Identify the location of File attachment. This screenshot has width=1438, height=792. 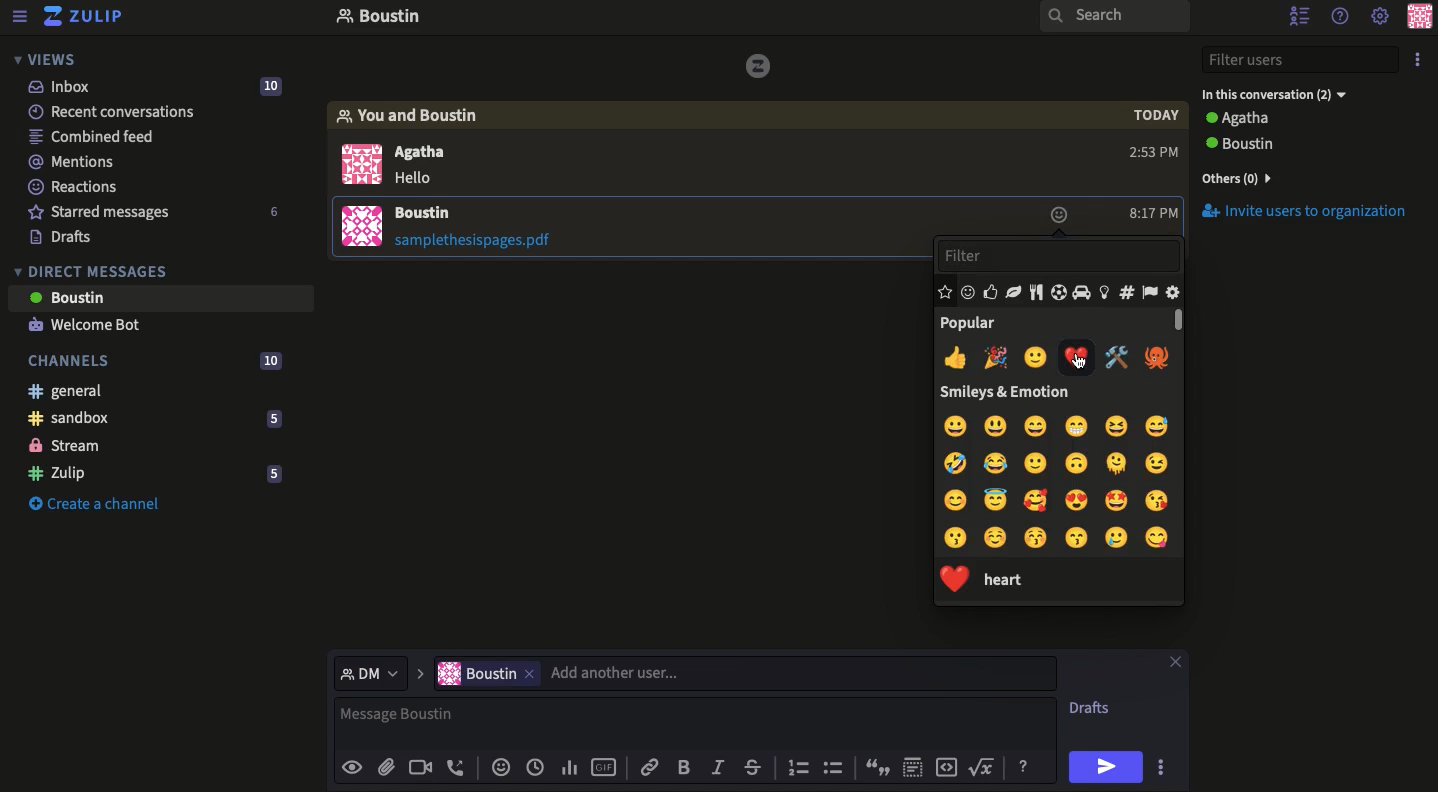
(485, 242).